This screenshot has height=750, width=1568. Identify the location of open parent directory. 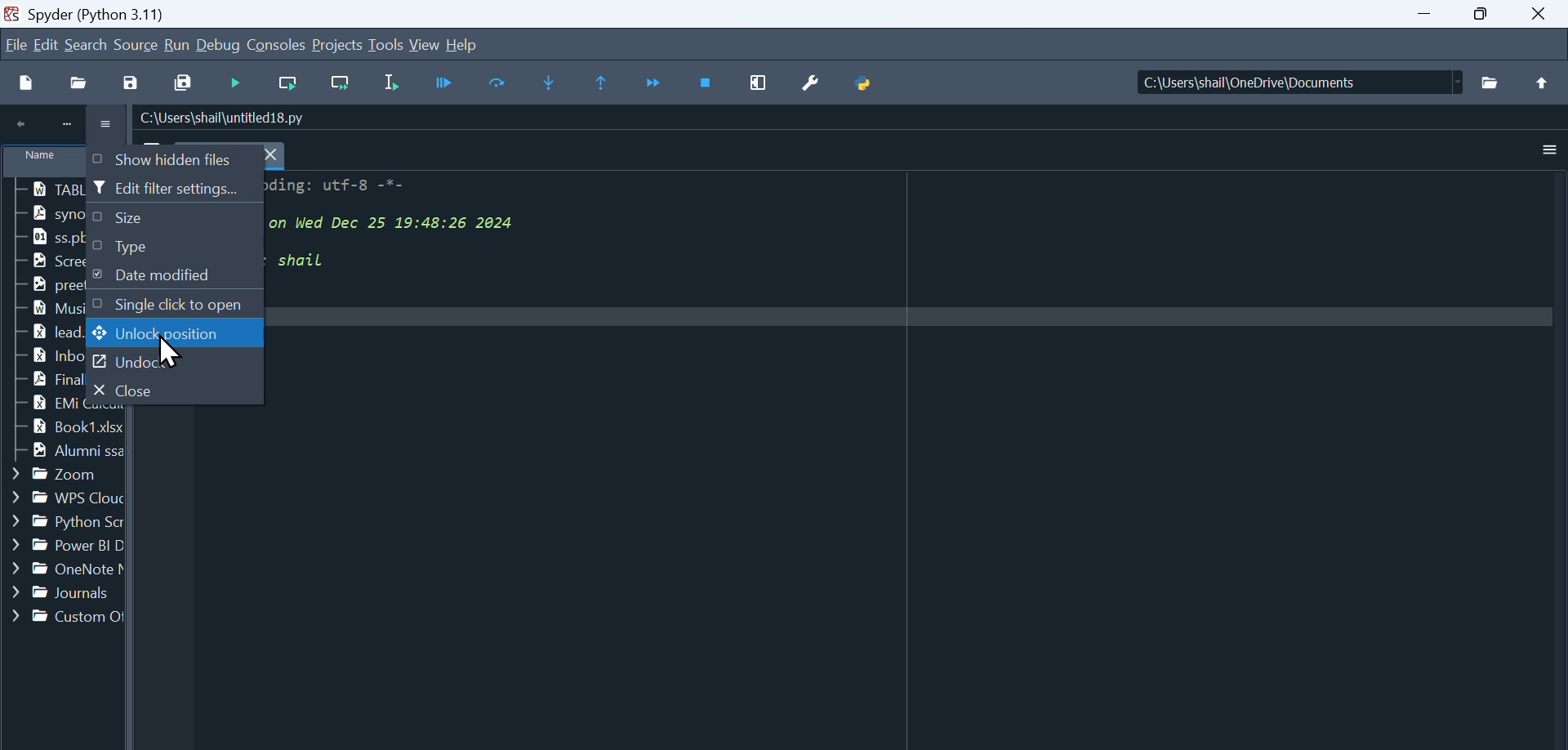
(1543, 83).